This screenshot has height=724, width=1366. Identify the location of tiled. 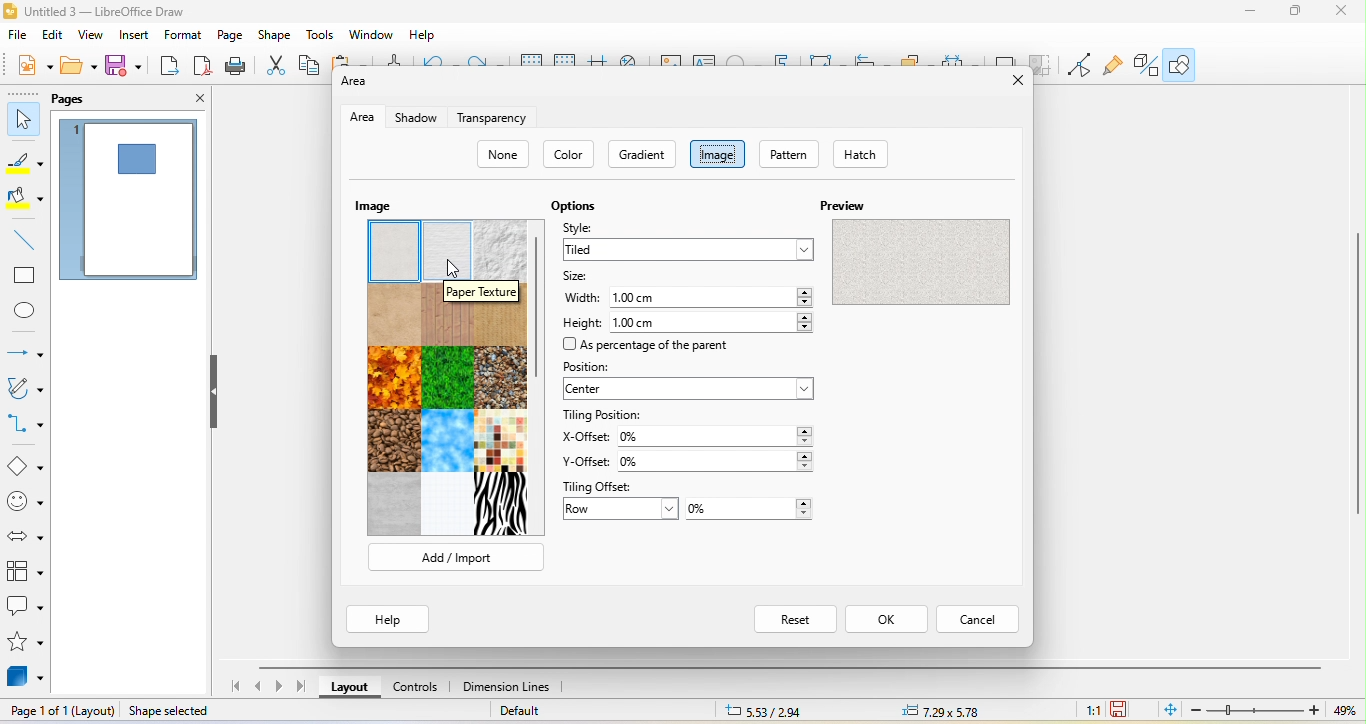
(684, 250).